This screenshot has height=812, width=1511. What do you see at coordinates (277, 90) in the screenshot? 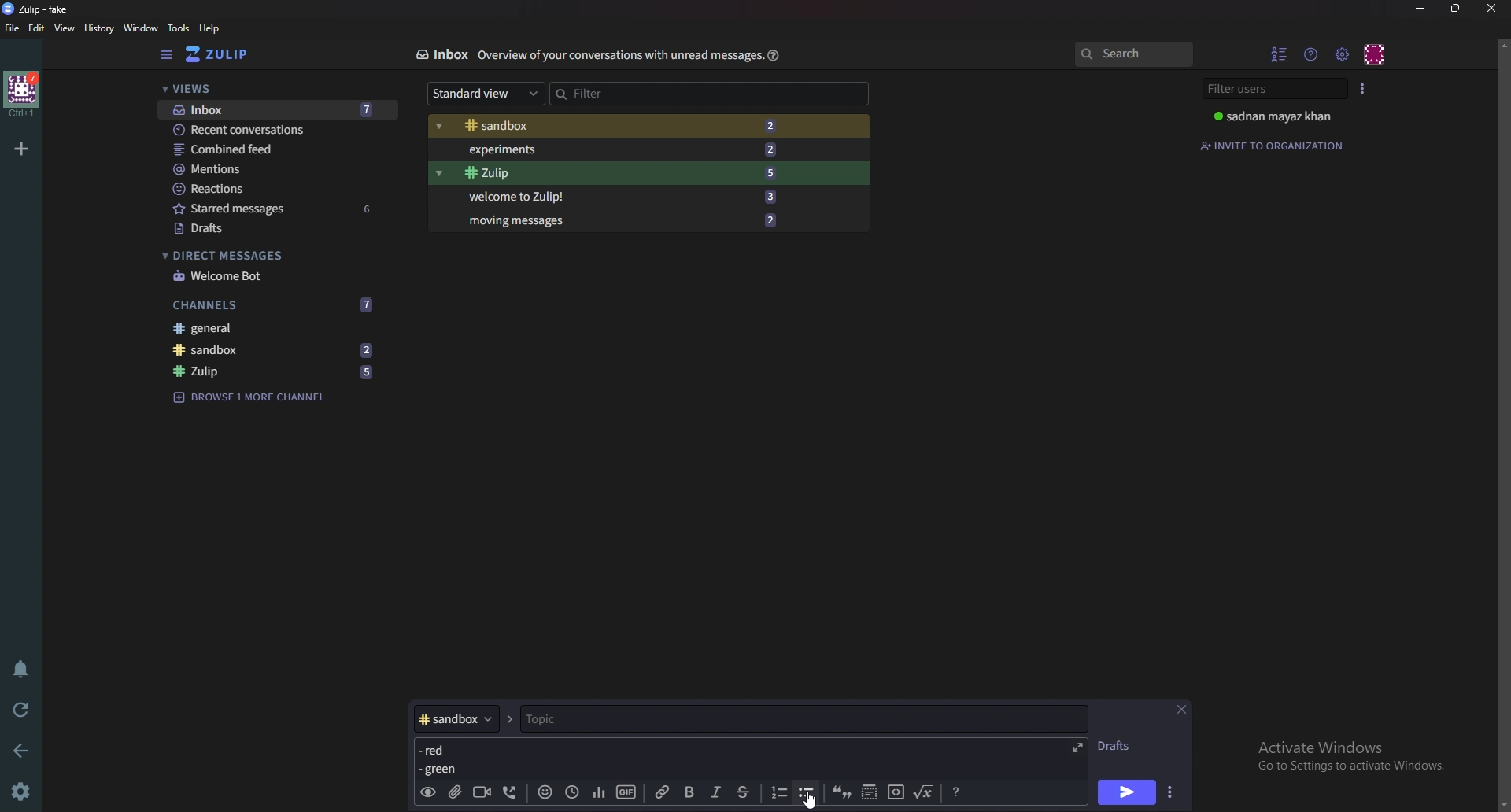
I see `views` at bounding box center [277, 90].